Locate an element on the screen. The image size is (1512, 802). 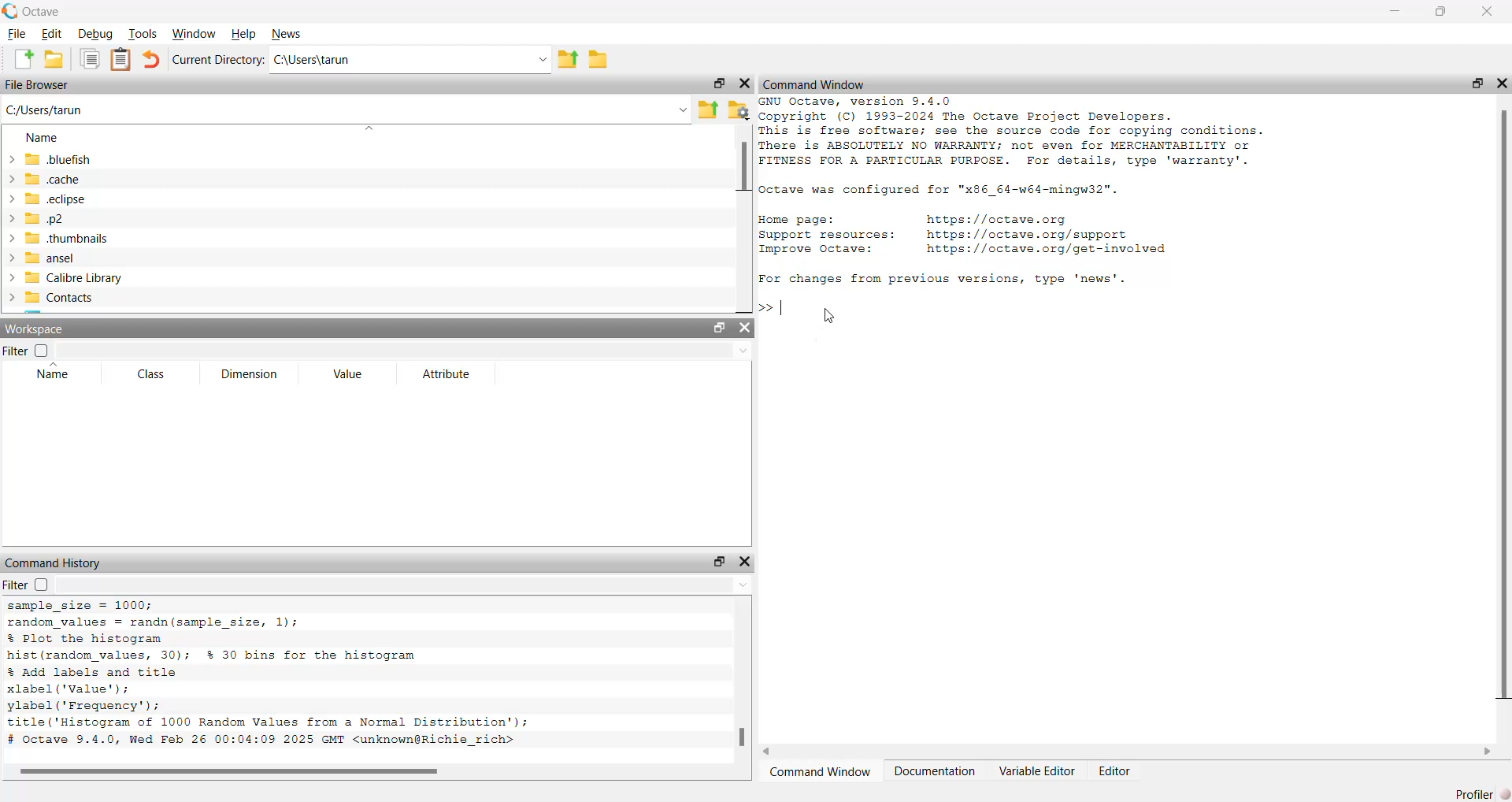
typing cursor is located at coordinates (773, 309).